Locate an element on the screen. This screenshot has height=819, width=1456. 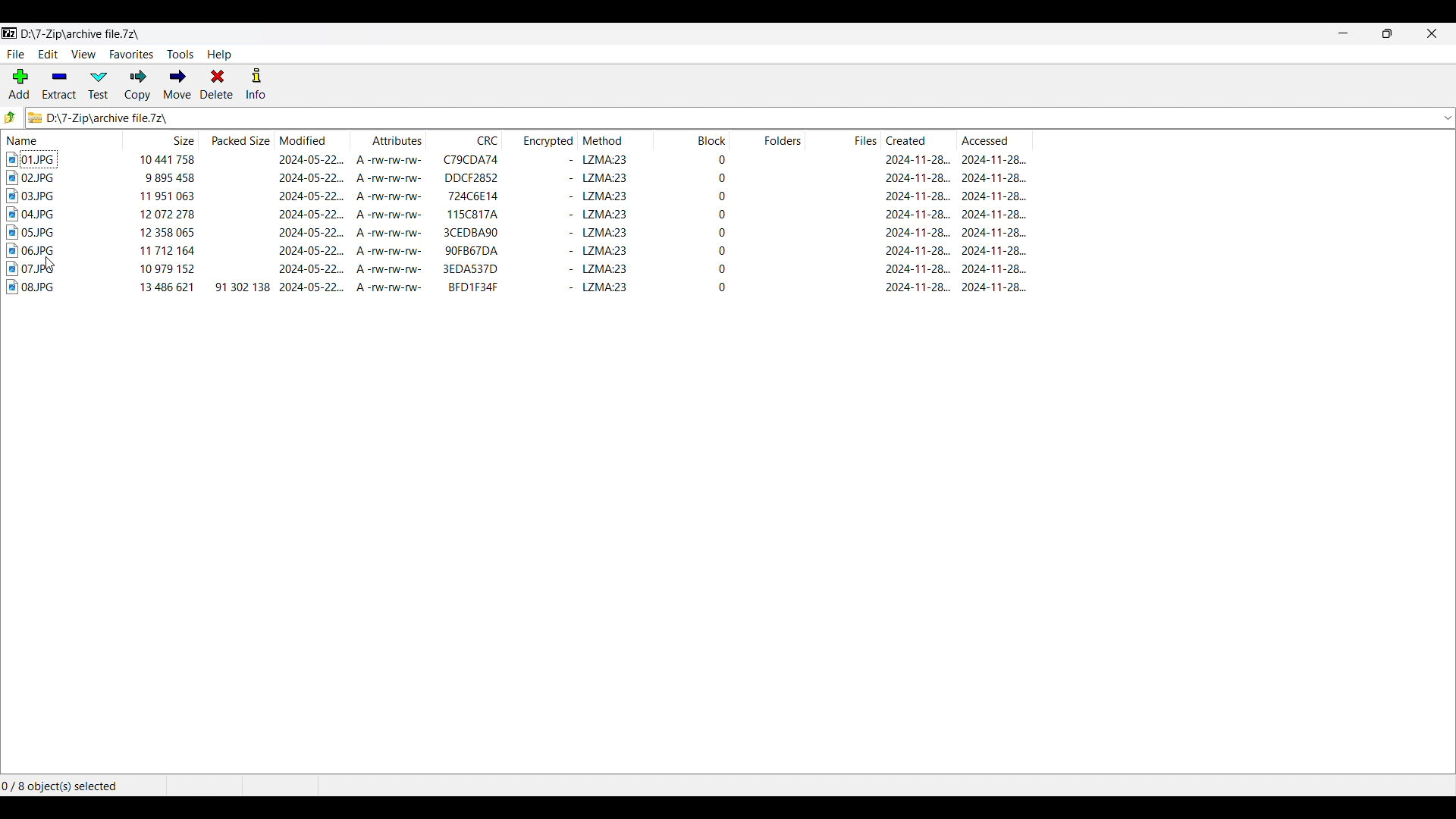
Block column is located at coordinates (694, 140).